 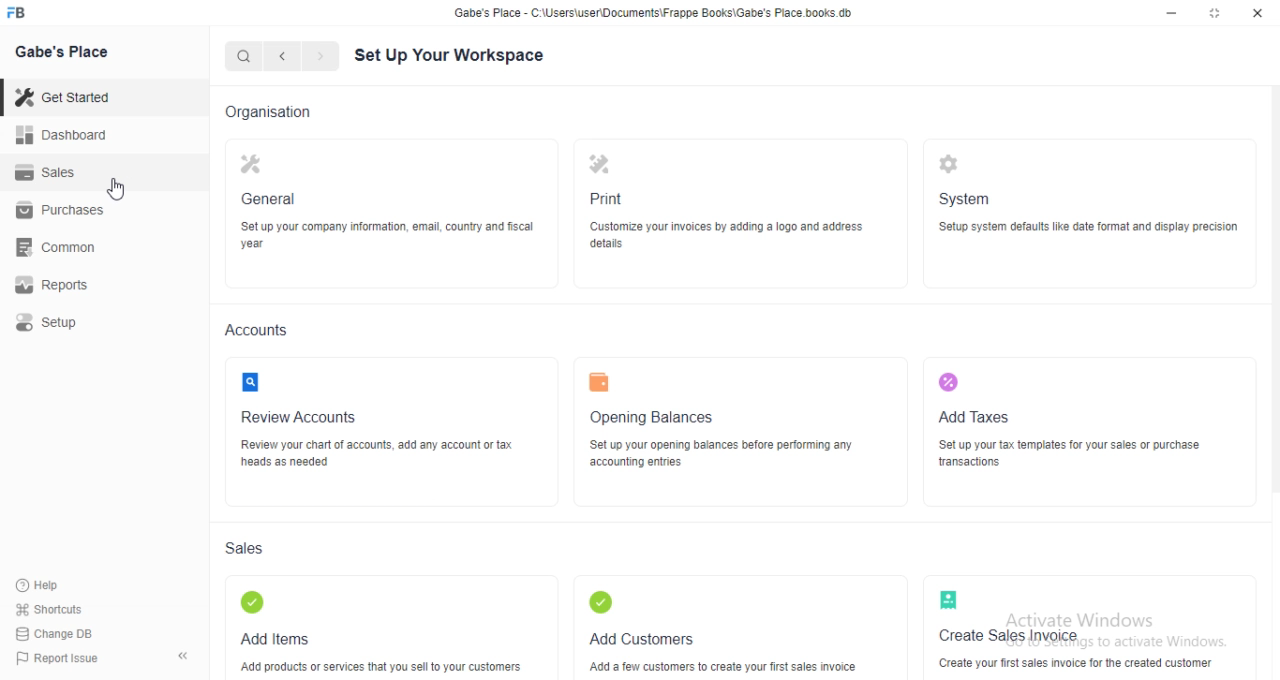 What do you see at coordinates (65, 52) in the screenshot?
I see `Gabe's Place` at bounding box center [65, 52].